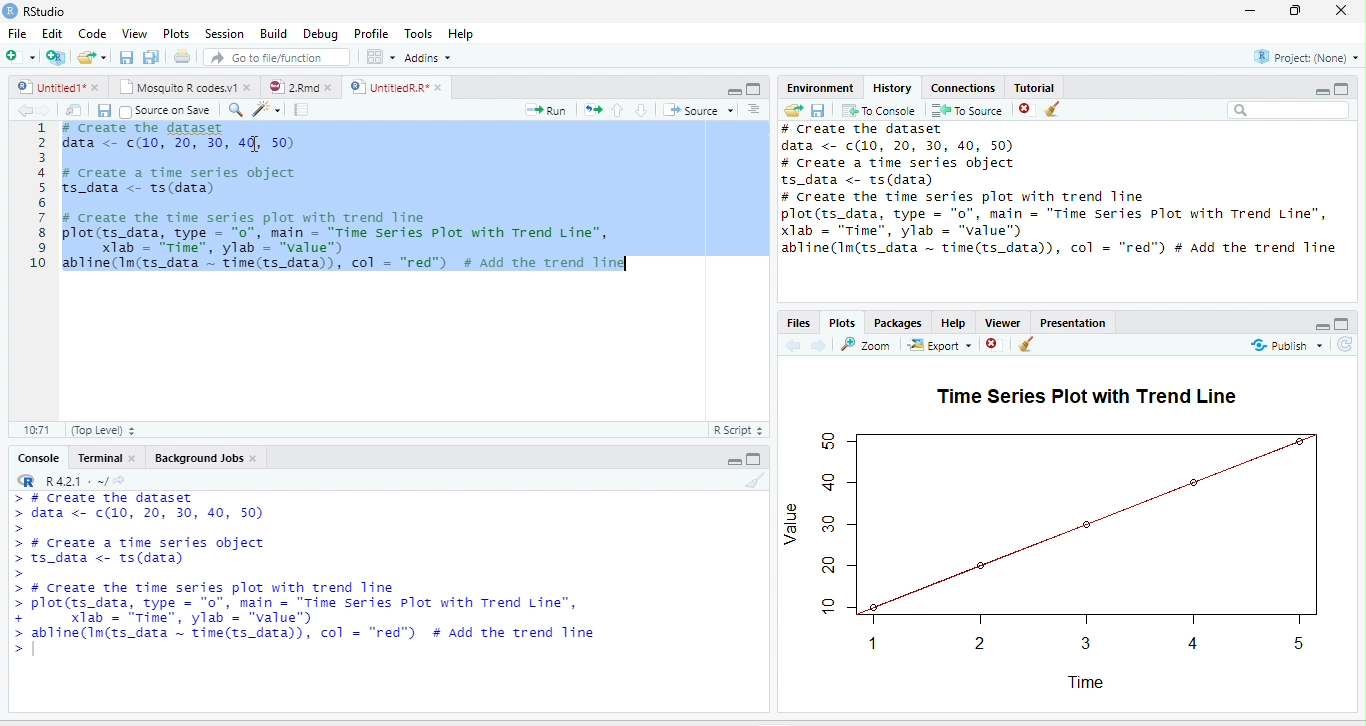 Image resolution: width=1366 pixels, height=726 pixels. What do you see at coordinates (104, 57) in the screenshot?
I see `Open recent files` at bounding box center [104, 57].